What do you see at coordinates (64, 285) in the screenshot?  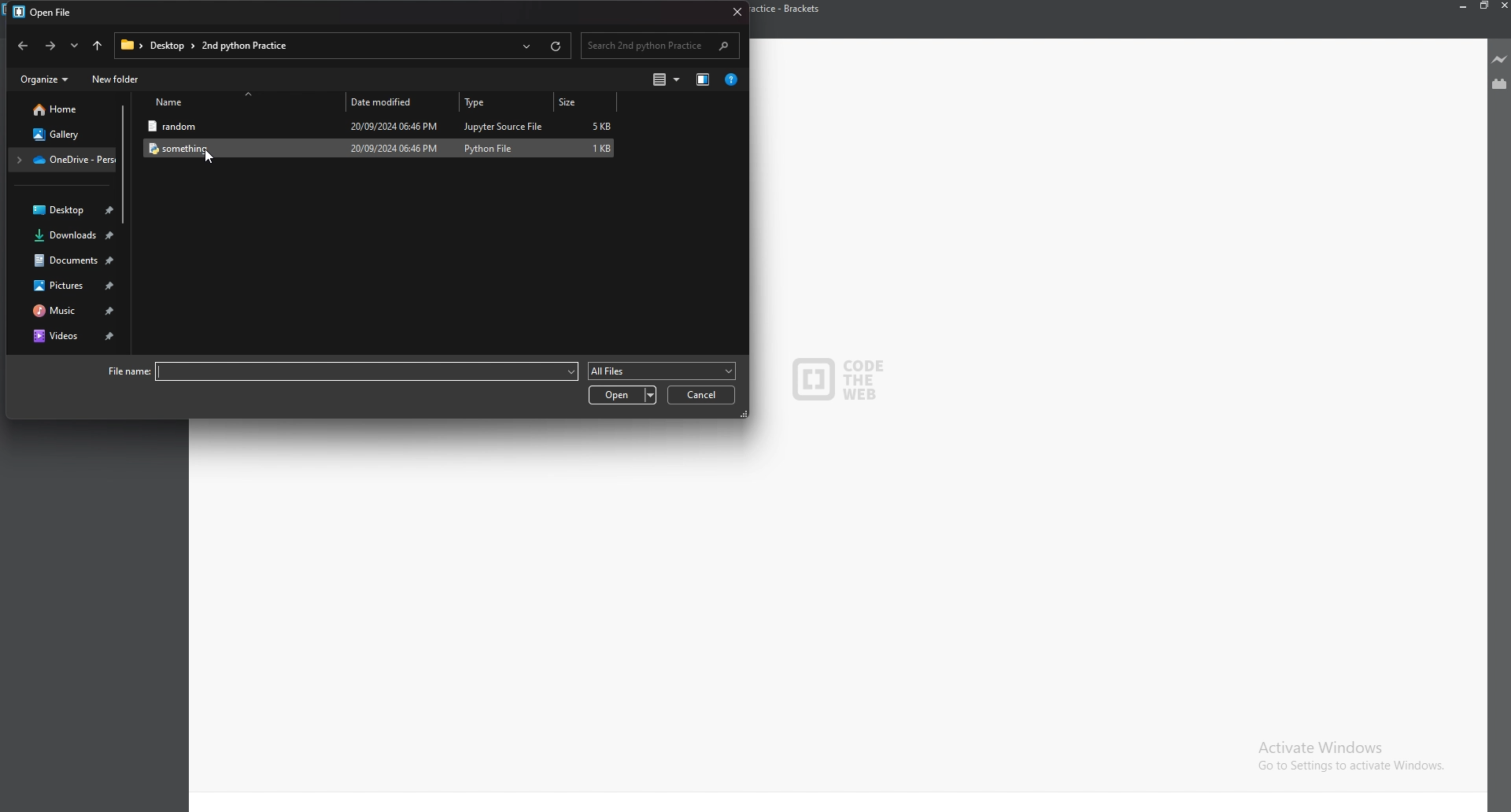 I see `pictures` at bounding box center [64, 285].